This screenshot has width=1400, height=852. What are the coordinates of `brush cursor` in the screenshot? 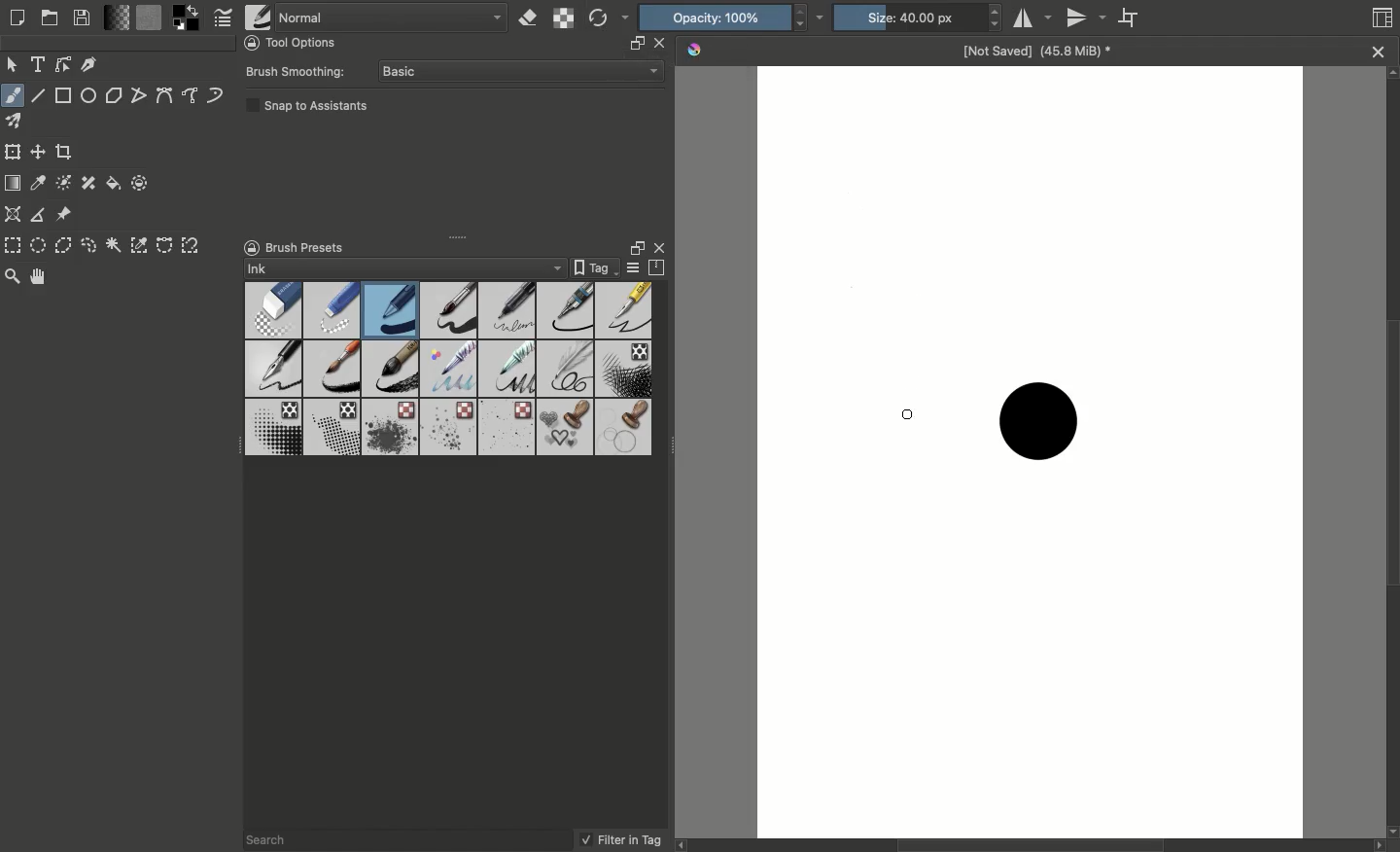 It's located at (906, 412).